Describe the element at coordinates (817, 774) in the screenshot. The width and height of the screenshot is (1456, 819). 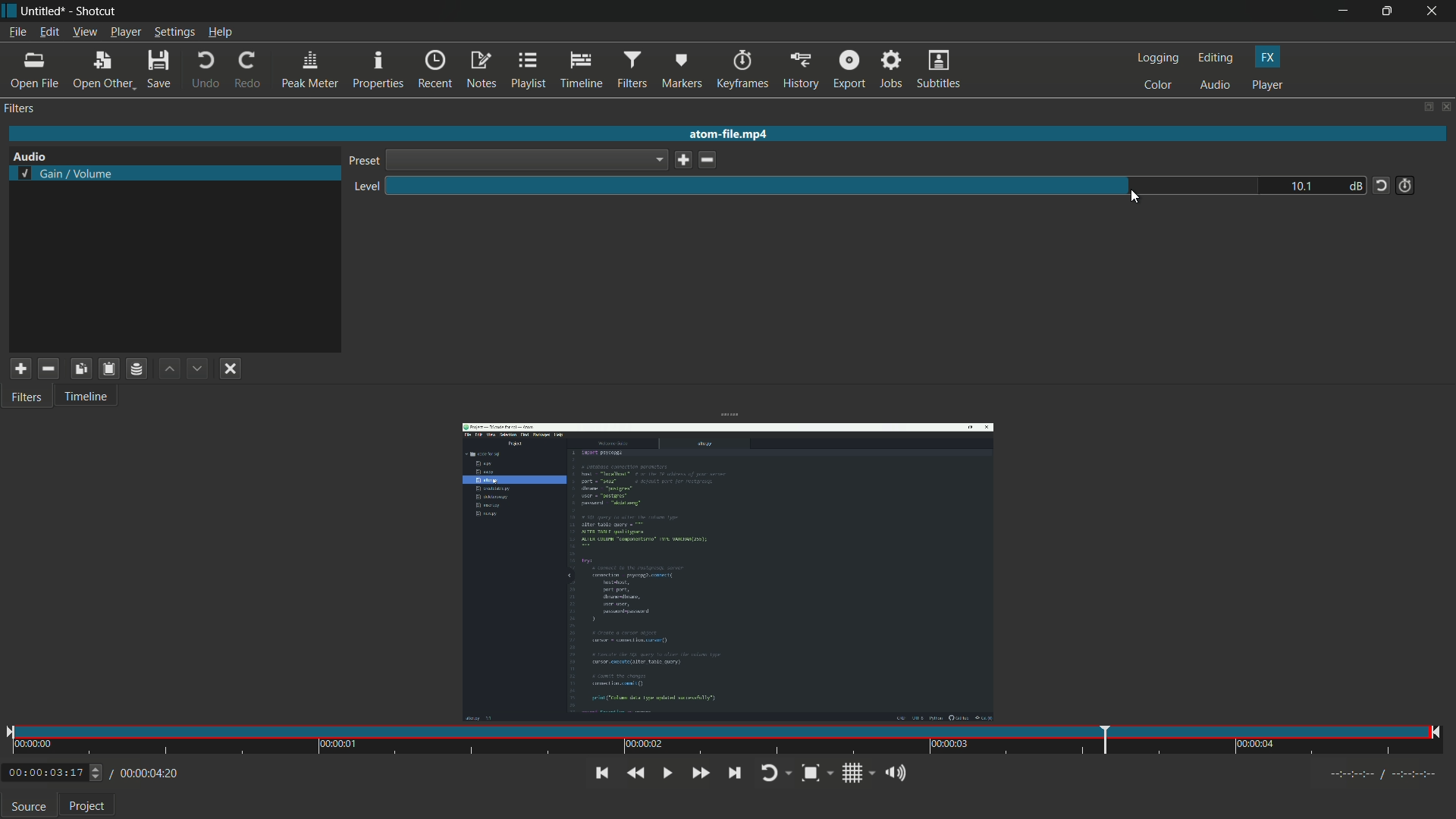
I see `toggle zoom` at that location.